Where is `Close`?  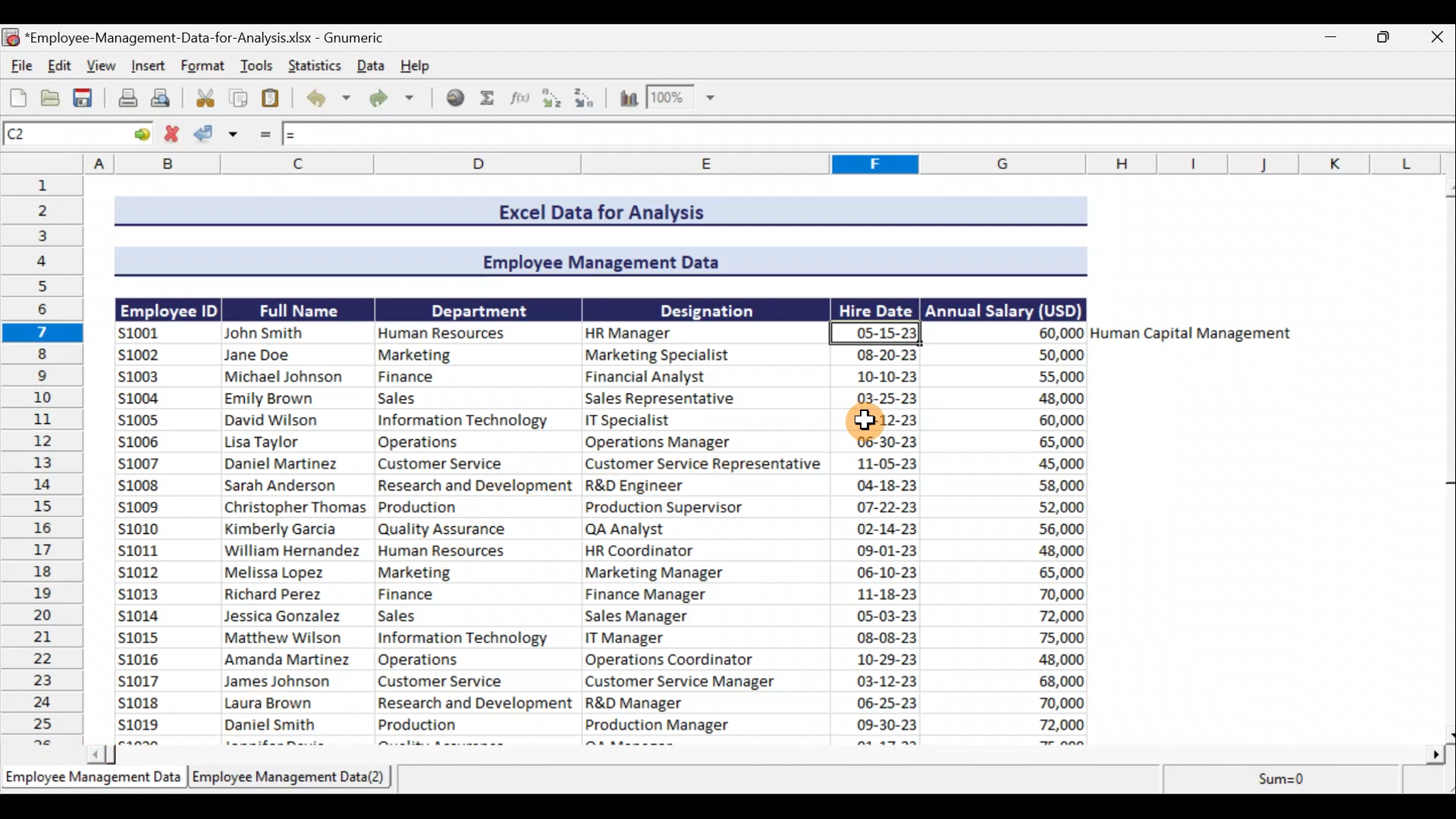 Close is located at coordinates (1439, 38).